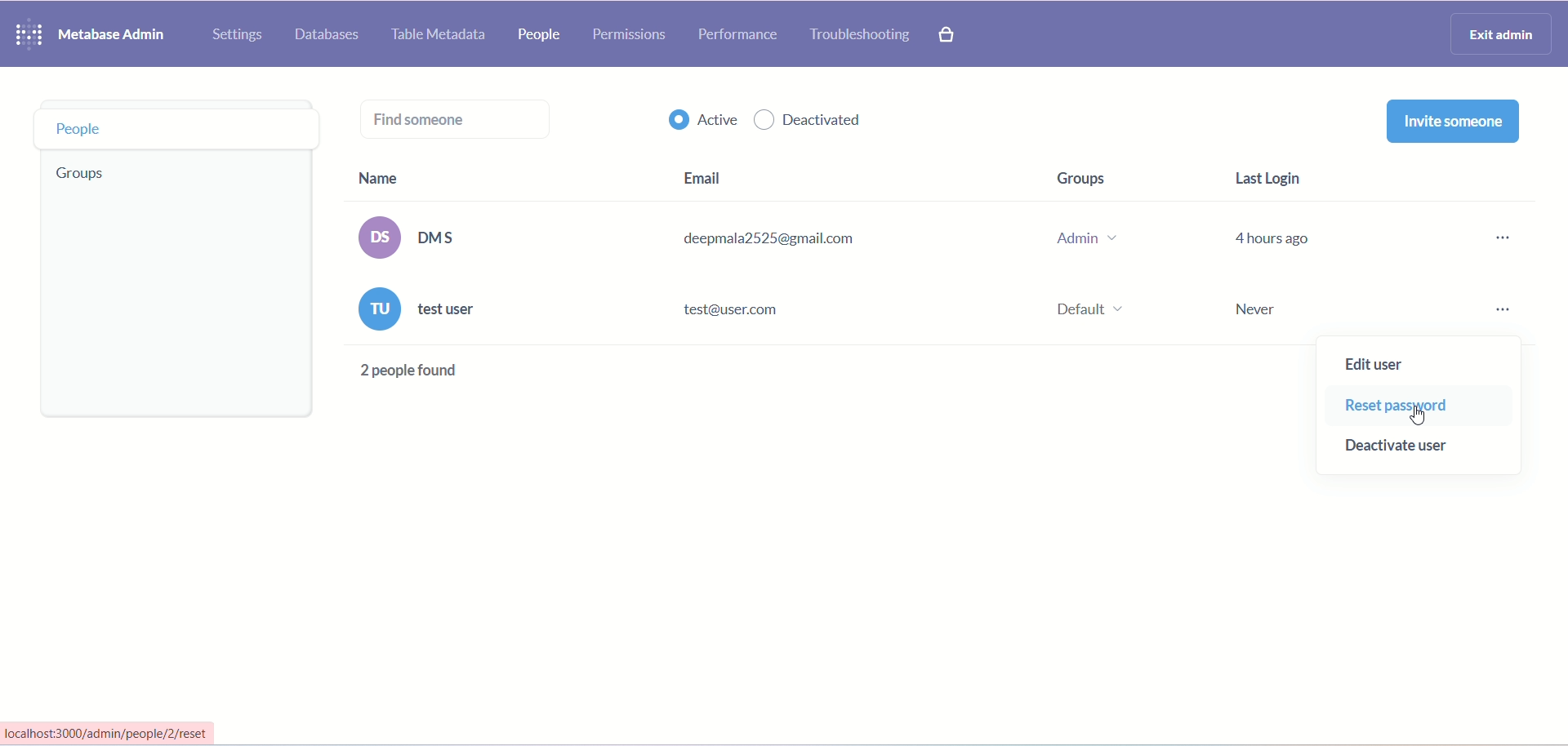 This screenshot has height=746, width=1568. Describe the element at coordinates (413, 372) in the screenshot. I see `2 people found` at that location.